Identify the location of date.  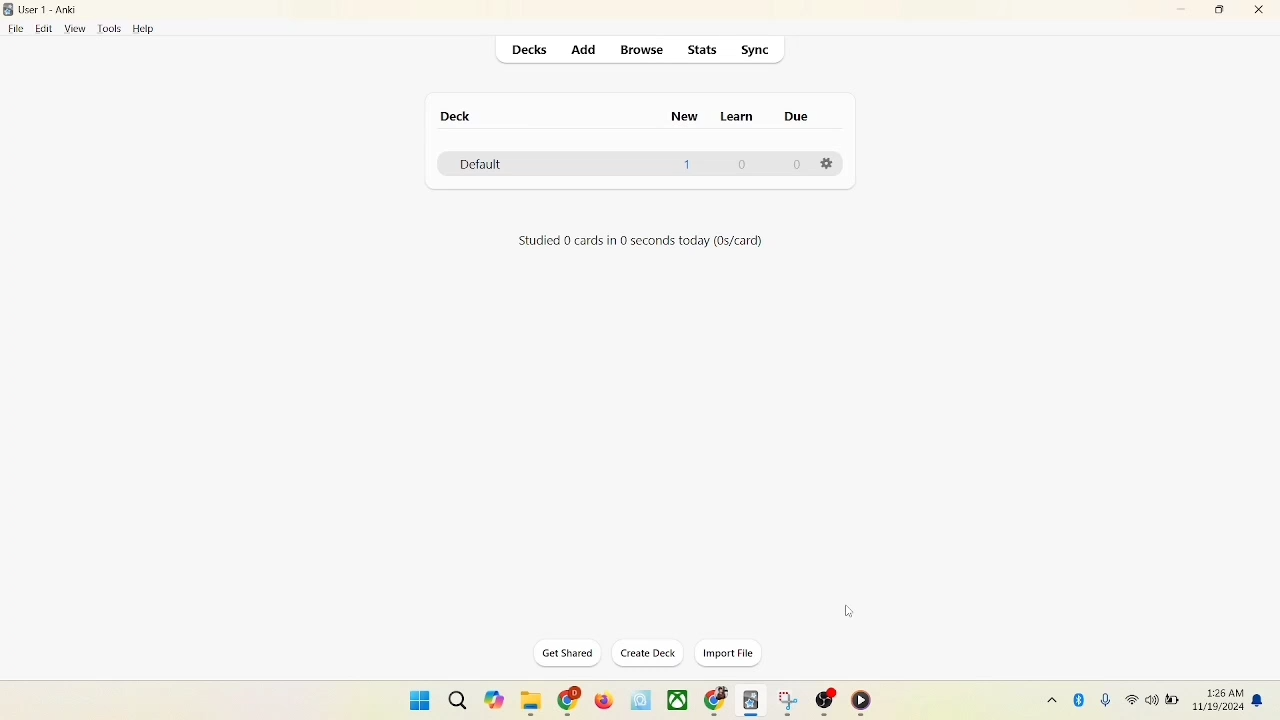
(1220, 708).